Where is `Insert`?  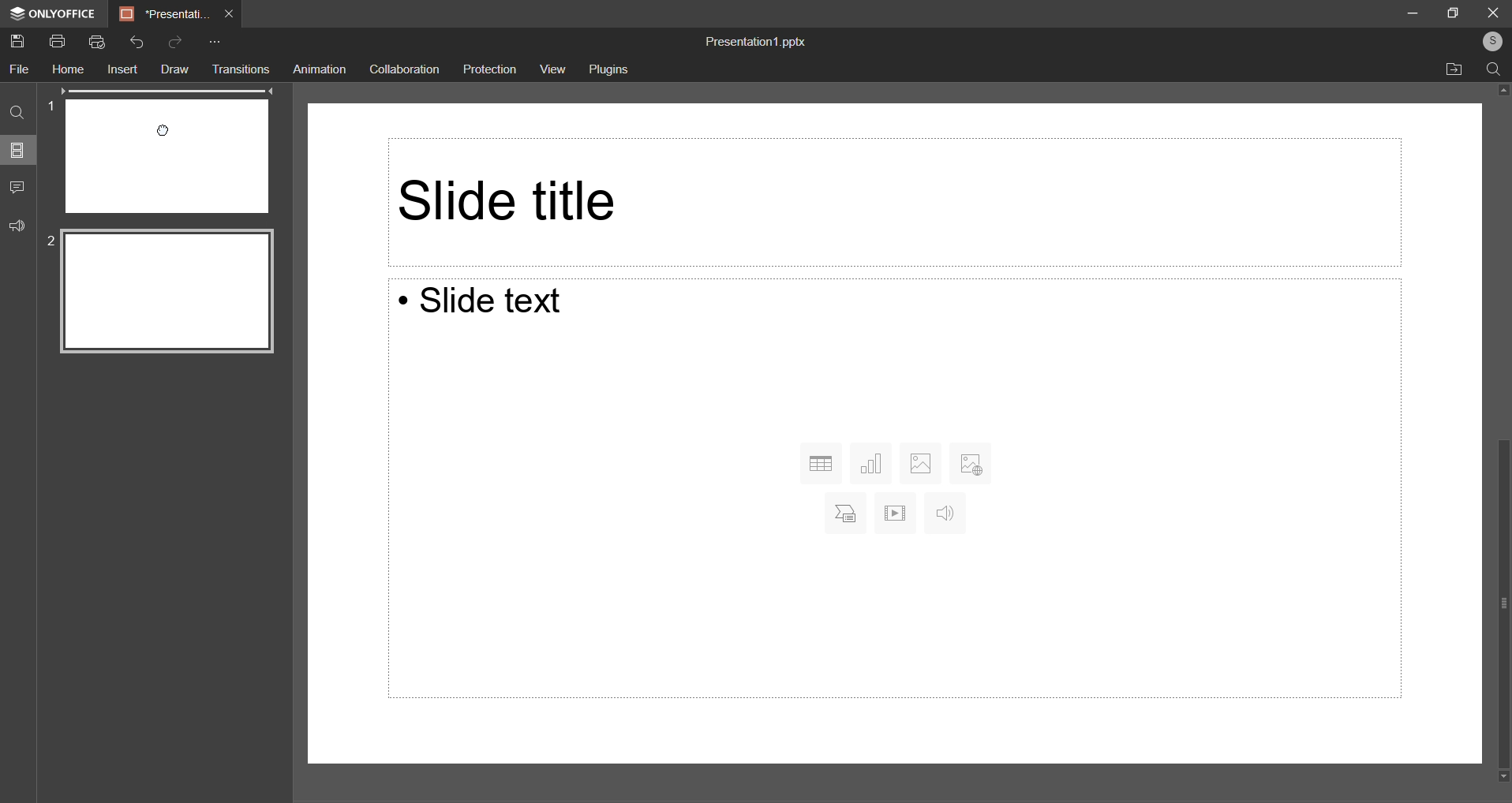 Insert is located at coordinates (122, 71).